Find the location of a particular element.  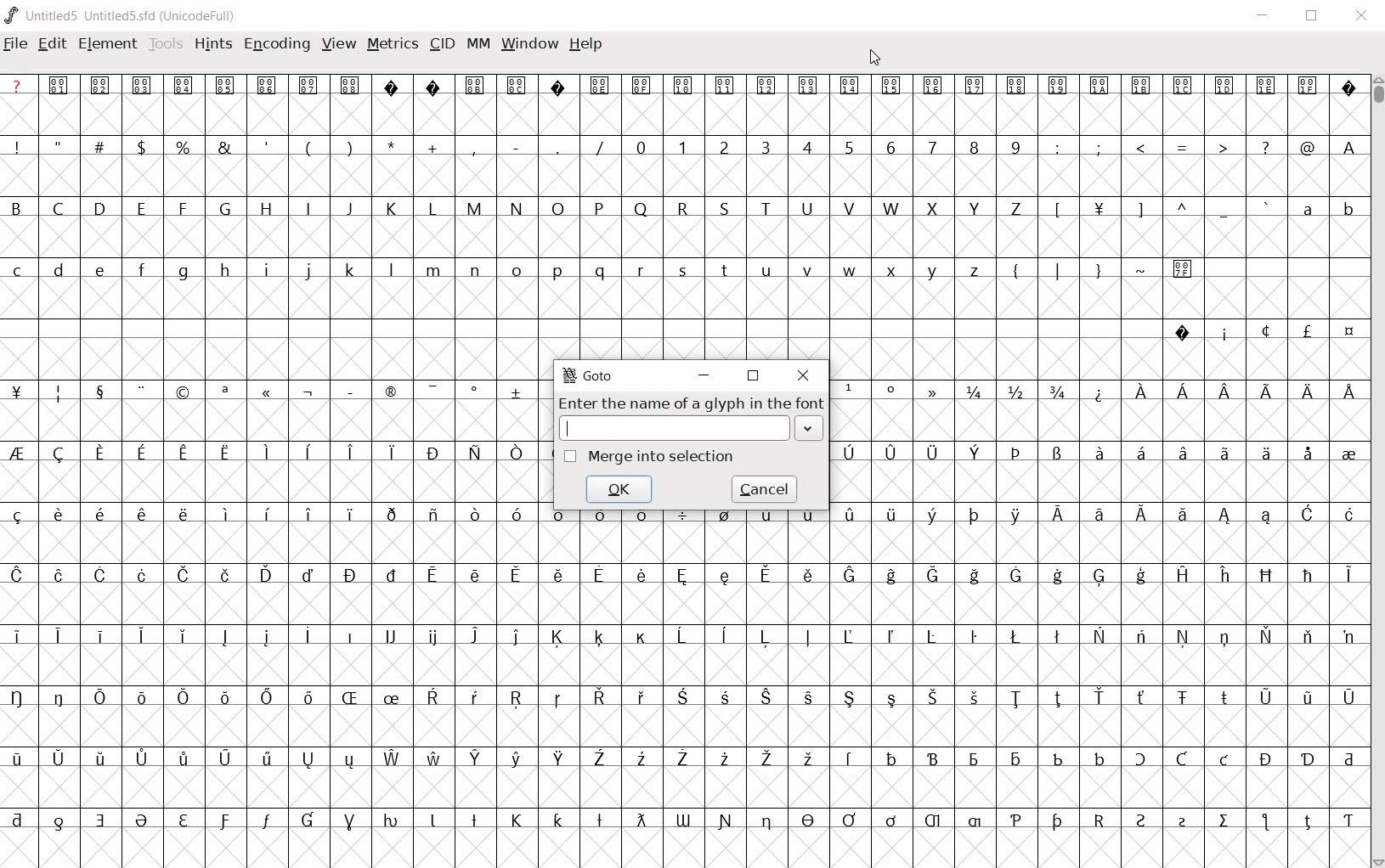

Symbol is located at coordinates (99, 513).